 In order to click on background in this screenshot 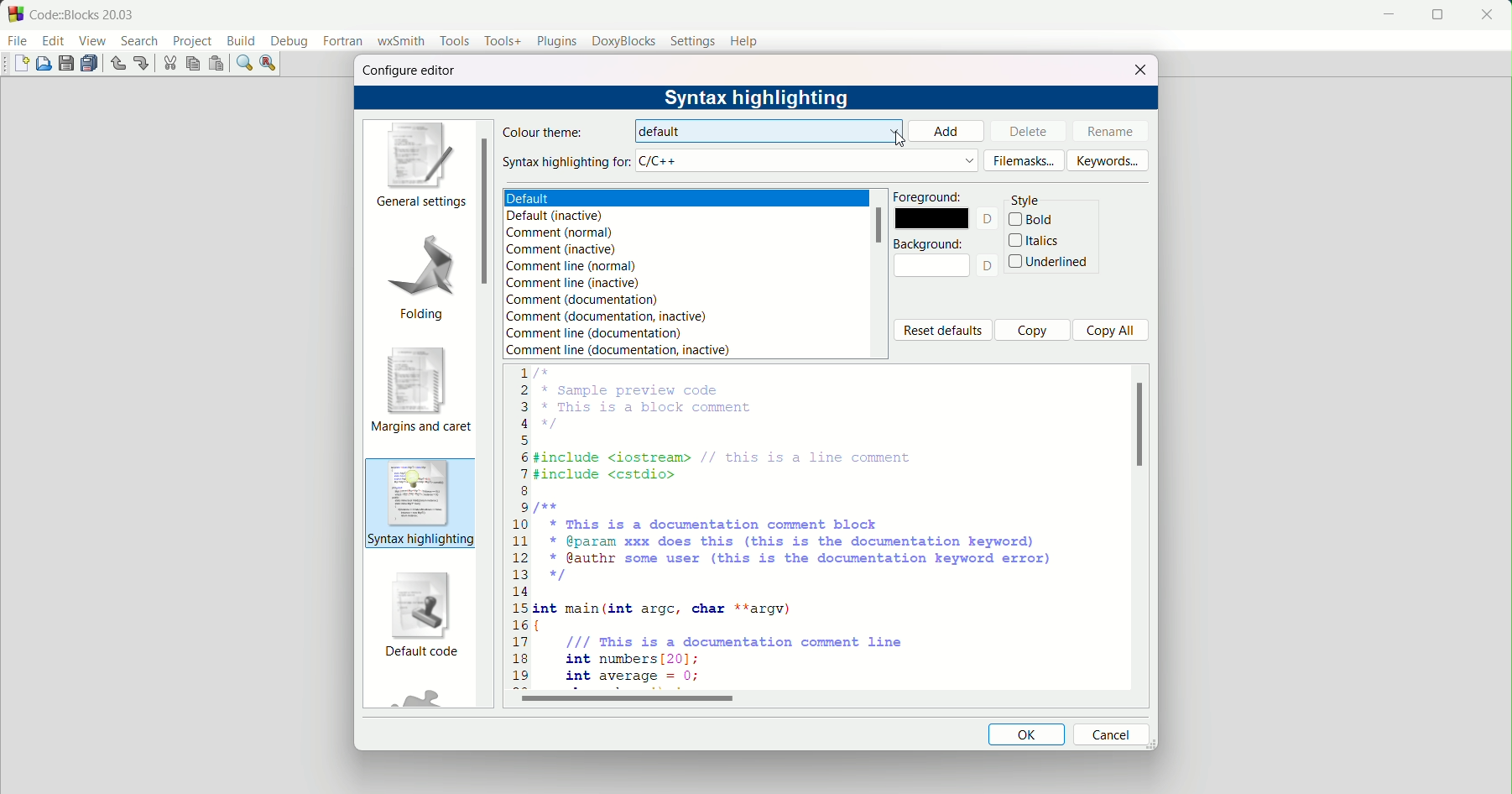, I will do `click(931, 243)`.